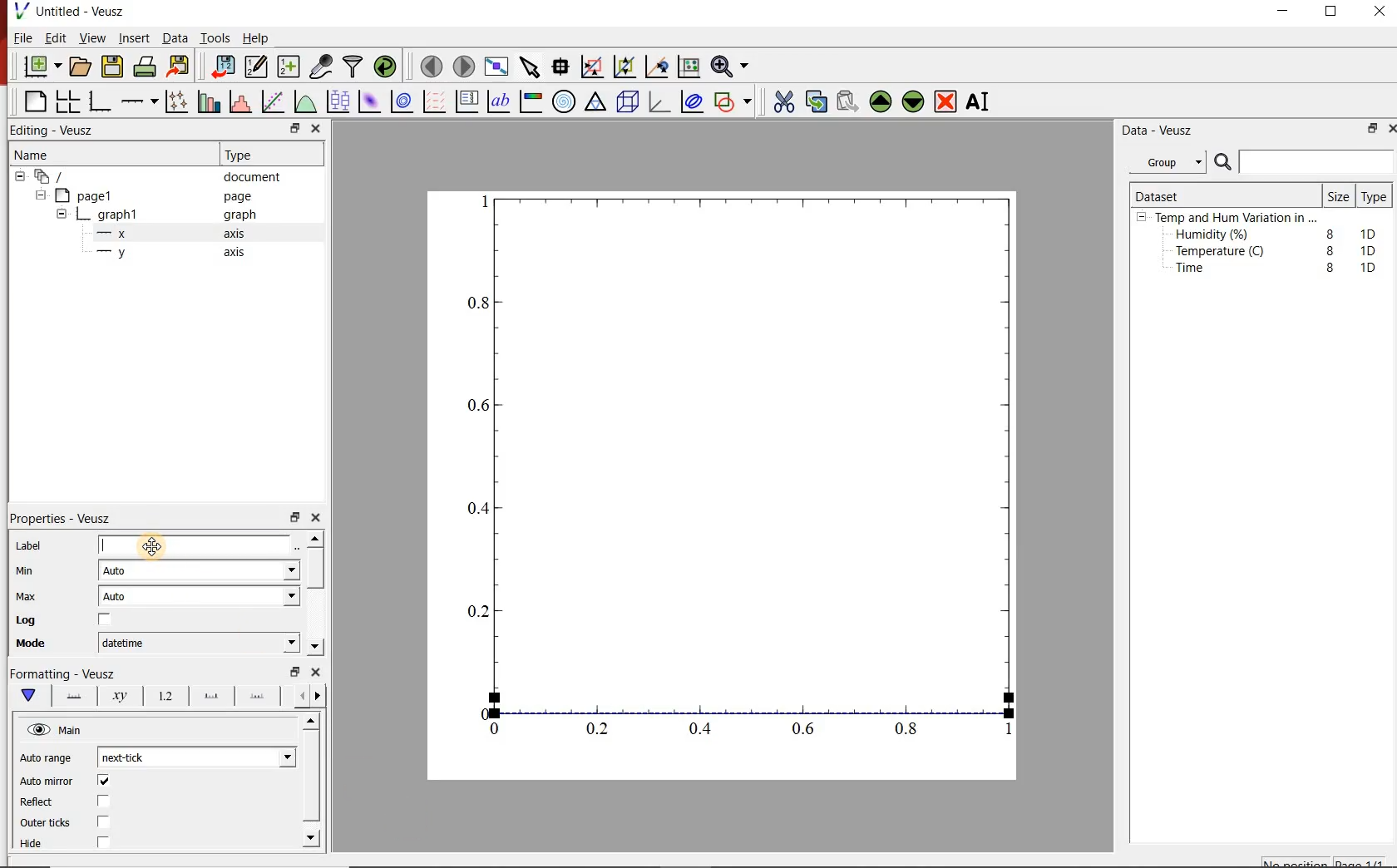  I want to click on Auto, so click(123, 571).